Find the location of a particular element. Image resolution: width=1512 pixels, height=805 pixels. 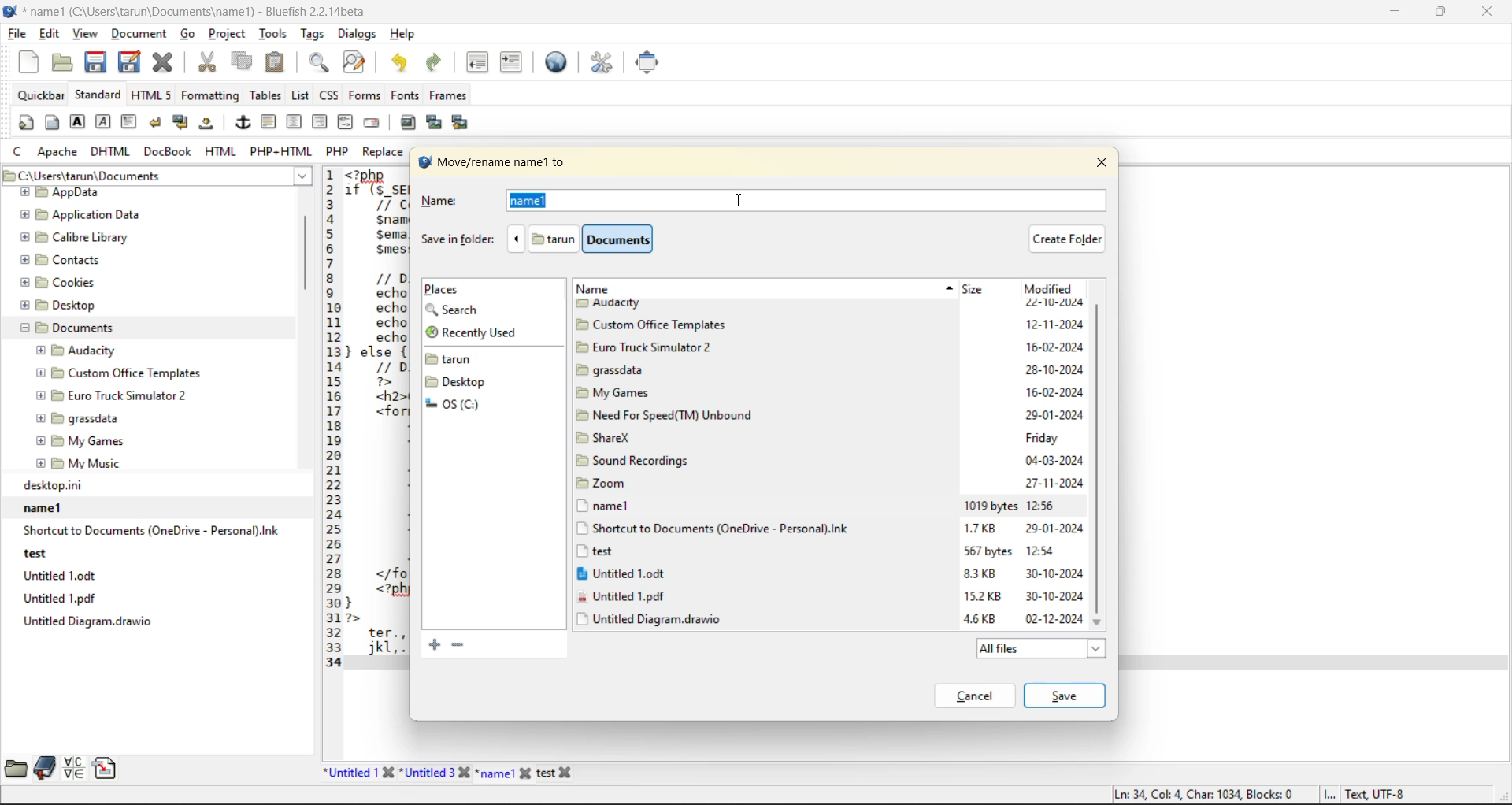

edit preferences is located at coordinates (605, 64).